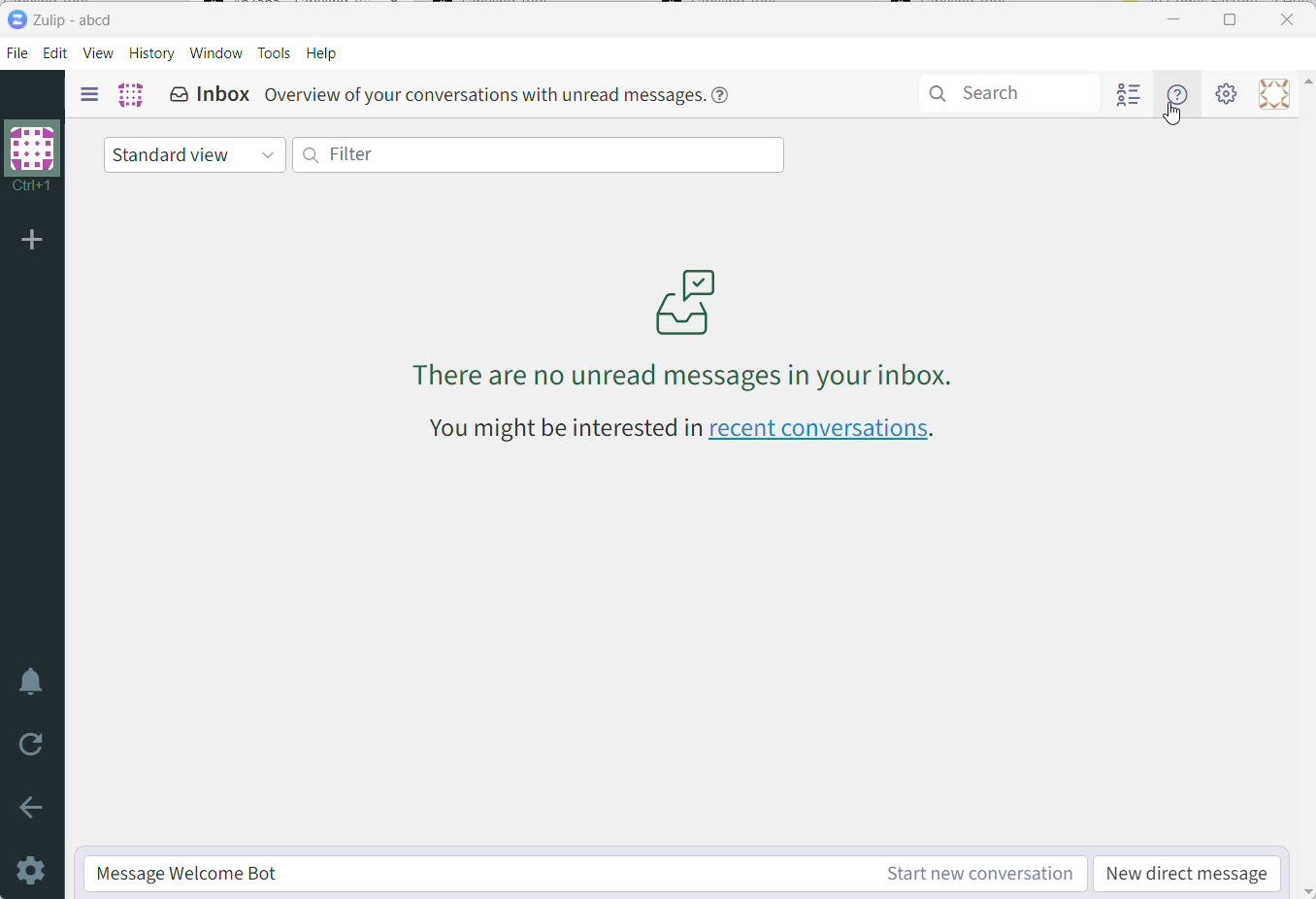  I want to click on Application Logo And Name - Organization Name, so click(66, 20).